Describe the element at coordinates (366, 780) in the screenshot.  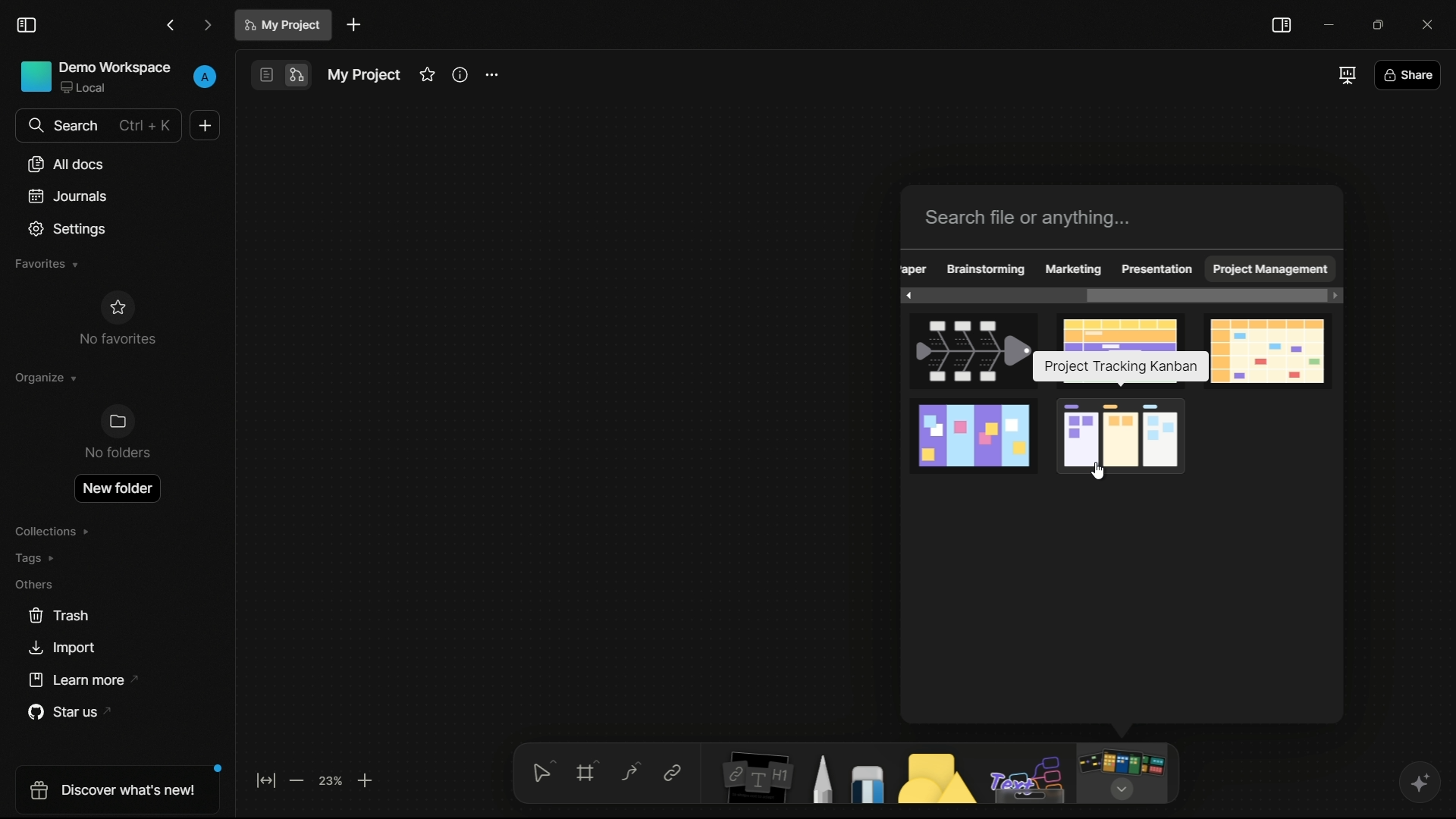
I see `zoom in` at that location.